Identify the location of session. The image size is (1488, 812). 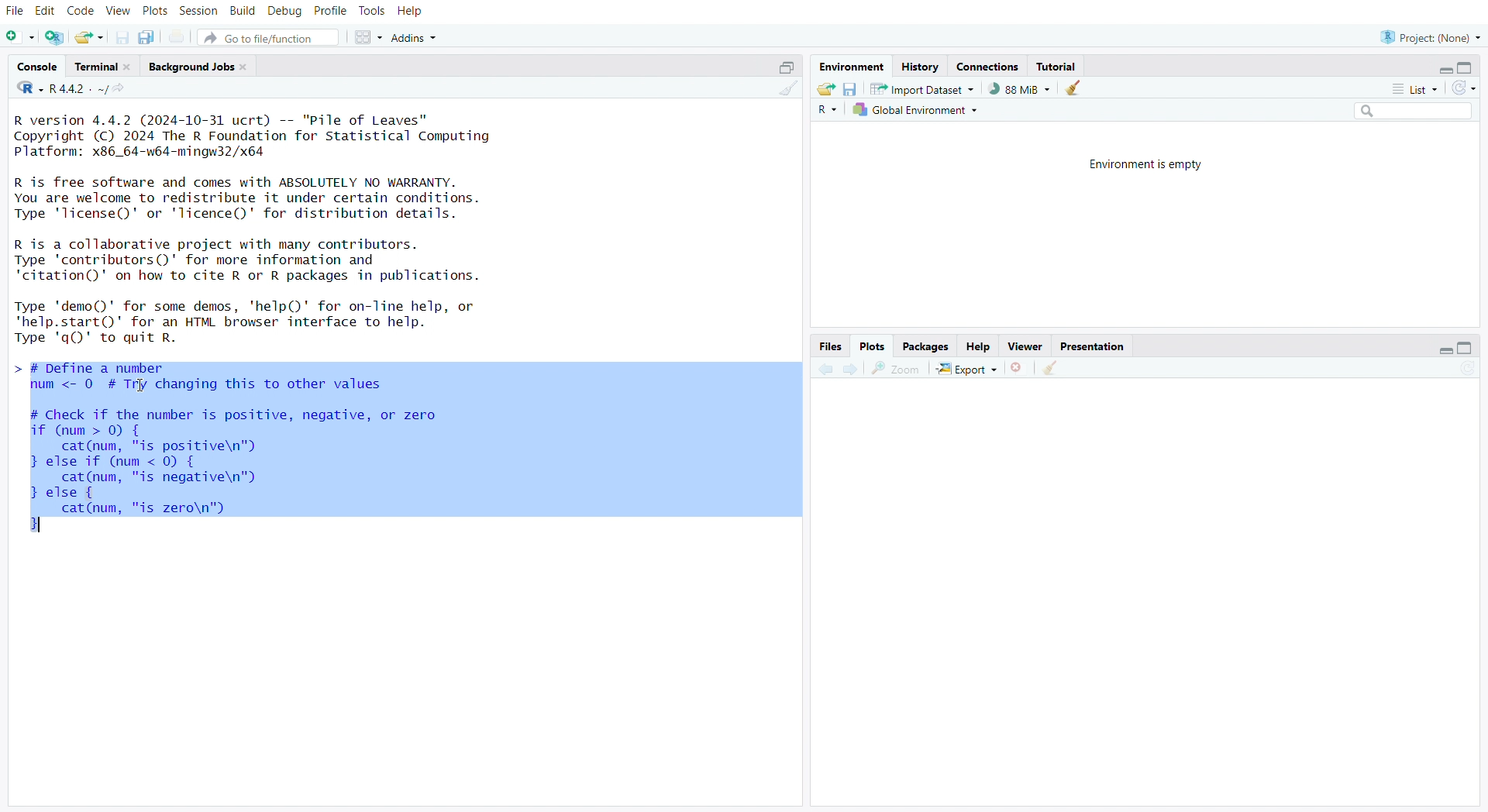
(201, 12).